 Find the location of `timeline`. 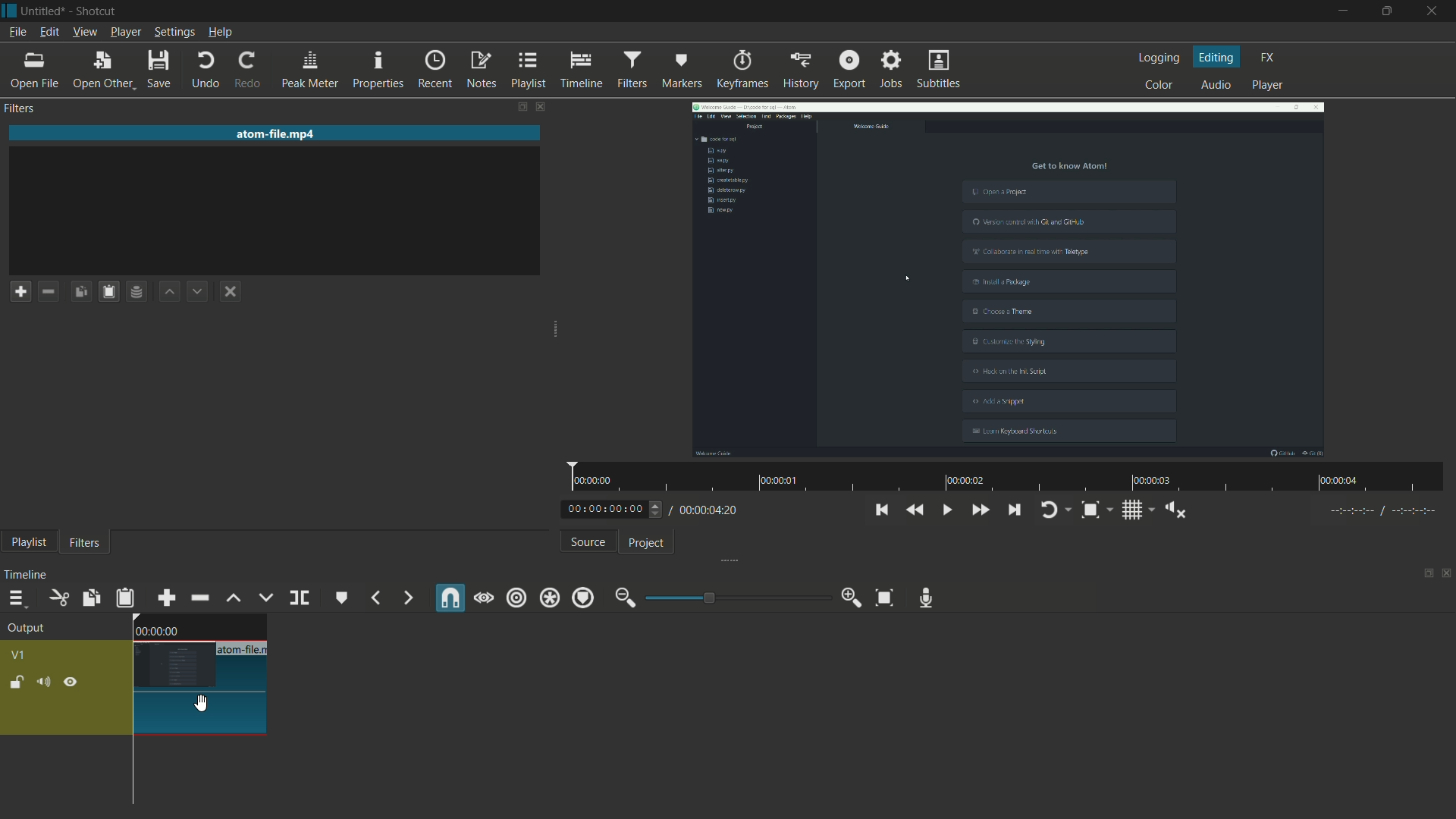

timeline is located at coordinates (30, 572).